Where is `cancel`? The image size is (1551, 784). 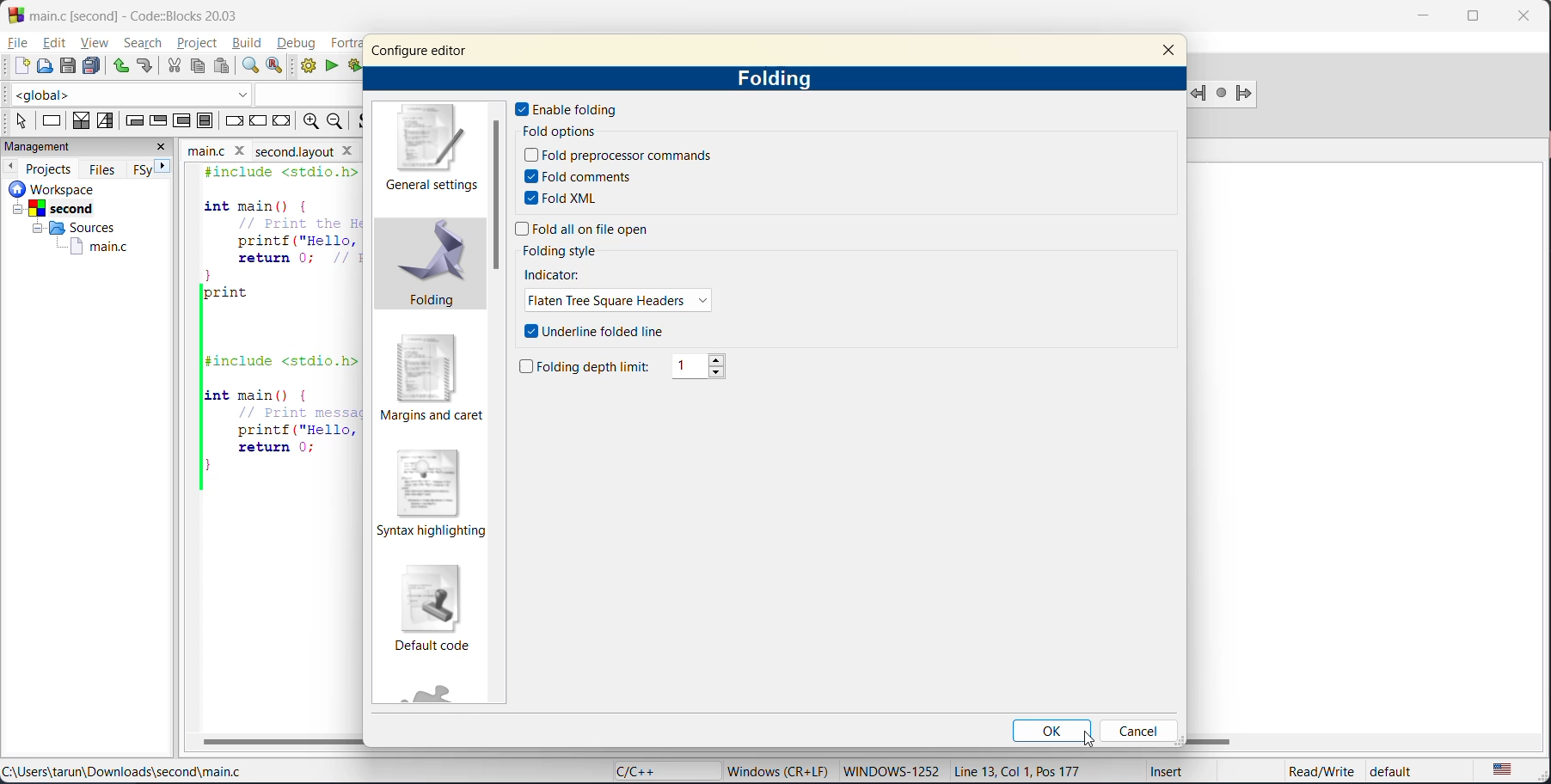 cancel is located at coordinates (1145, 732).